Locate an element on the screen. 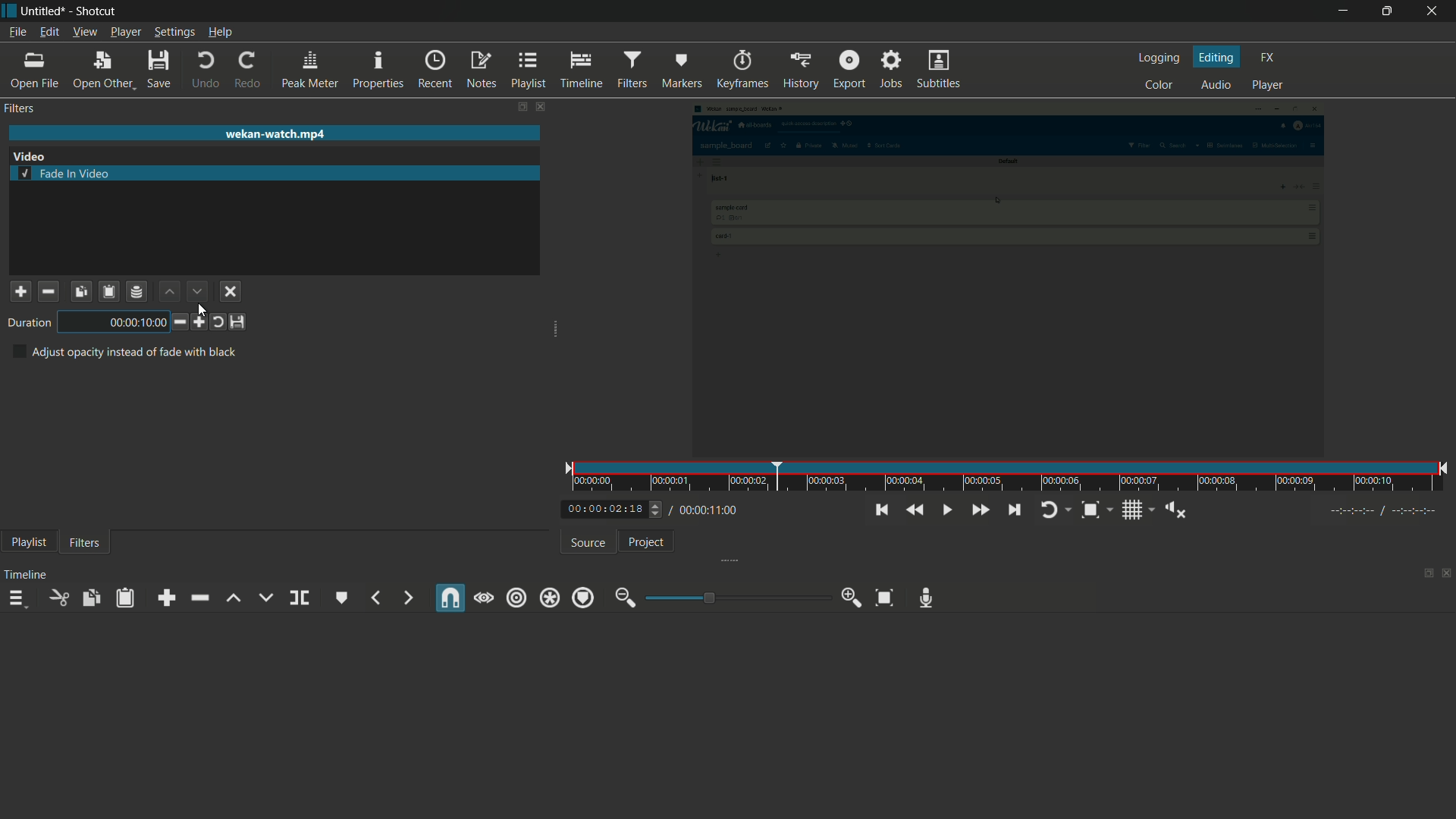  cut is located at coordinates (60, 598).